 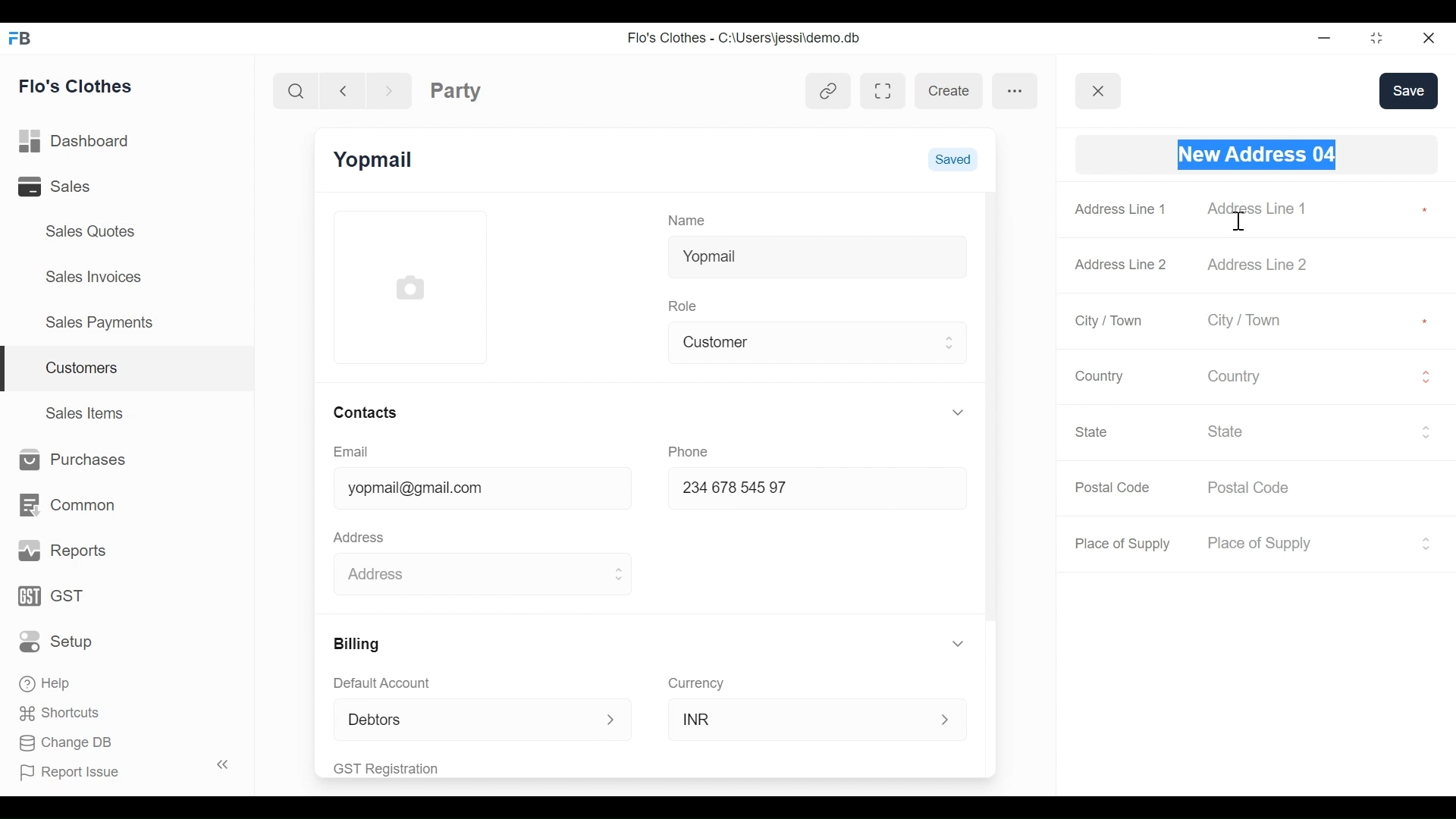 I want to click on Party, so click(x=456, y=90).